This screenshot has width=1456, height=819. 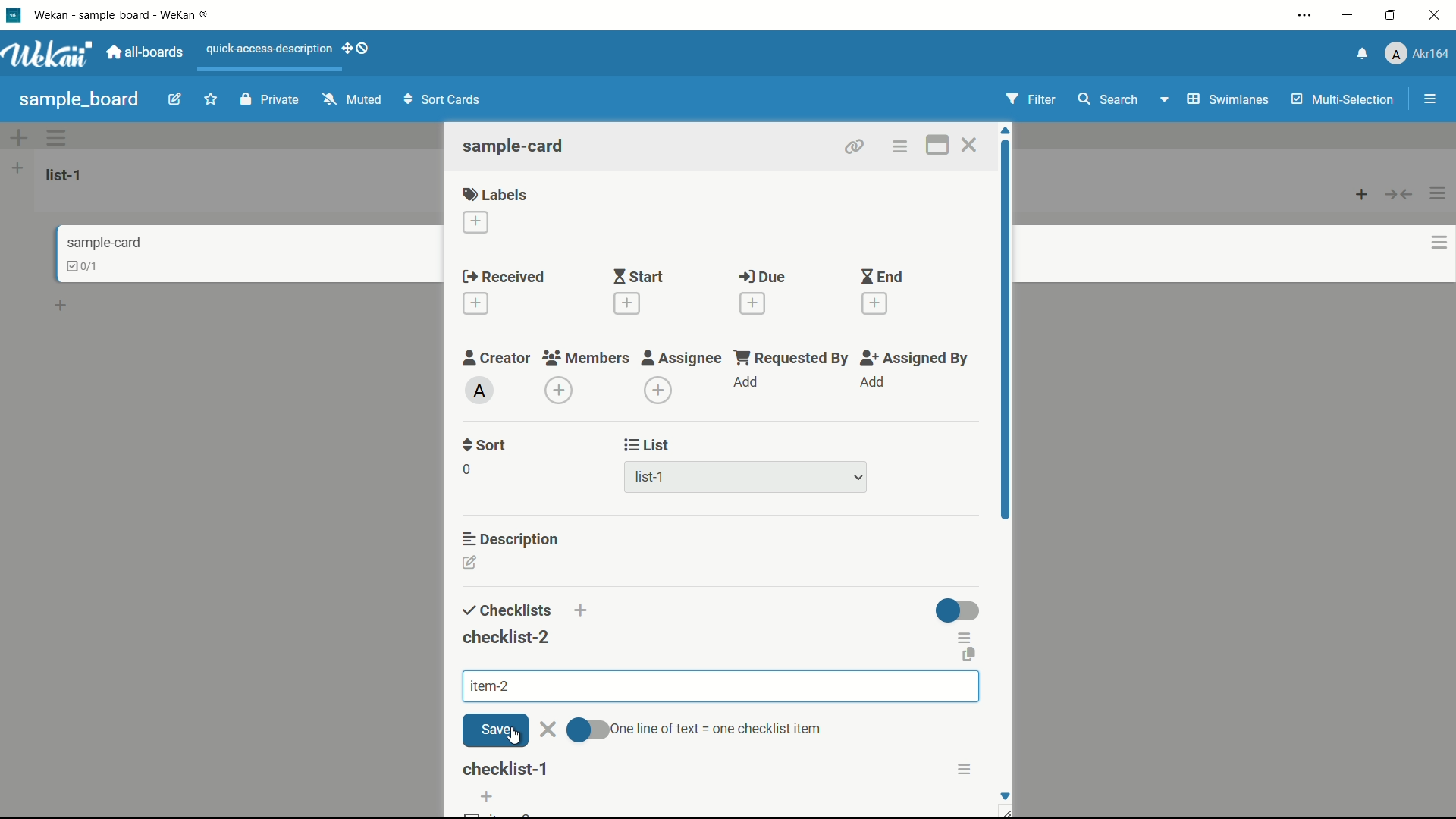 I want to click on add label, so click(x=477, y=223).